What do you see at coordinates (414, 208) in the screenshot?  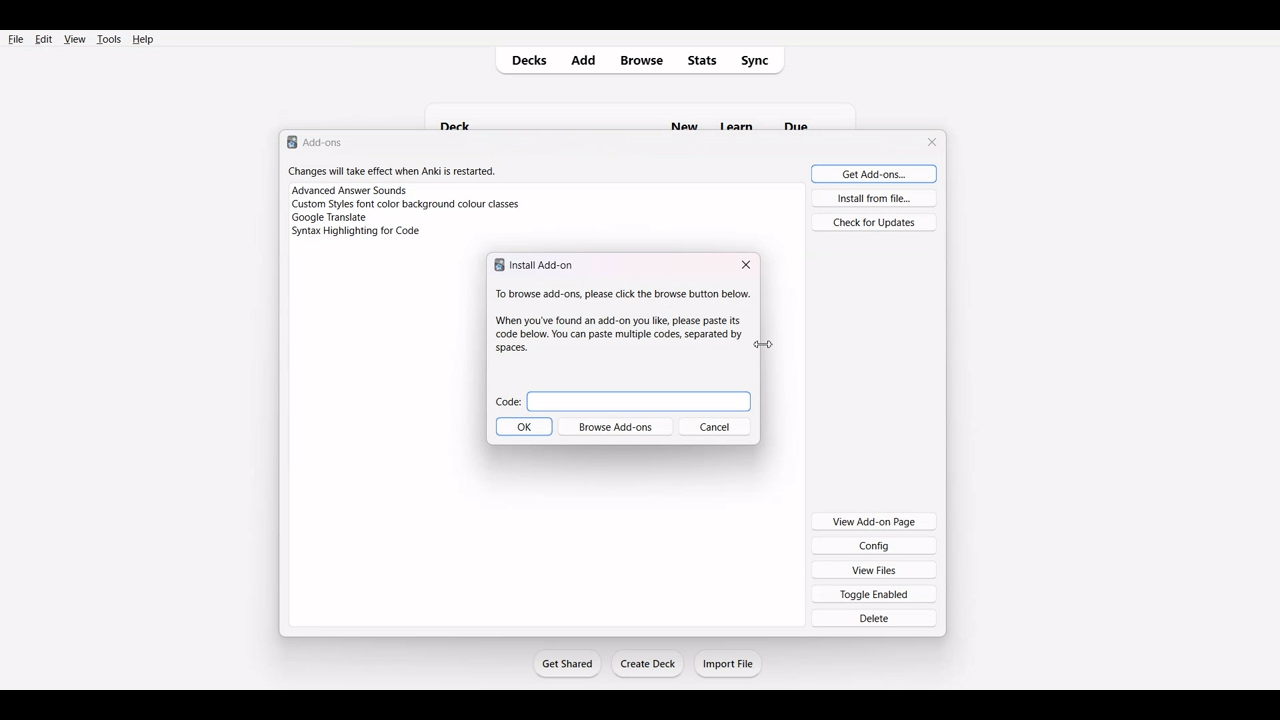 I see `Changes will take effect when Anki is restarted. Advanced Answer Sounds Custom Styles font color background colour classes Google Translate Syntax Highlighting for Code.` at bounding box center [414, 208].